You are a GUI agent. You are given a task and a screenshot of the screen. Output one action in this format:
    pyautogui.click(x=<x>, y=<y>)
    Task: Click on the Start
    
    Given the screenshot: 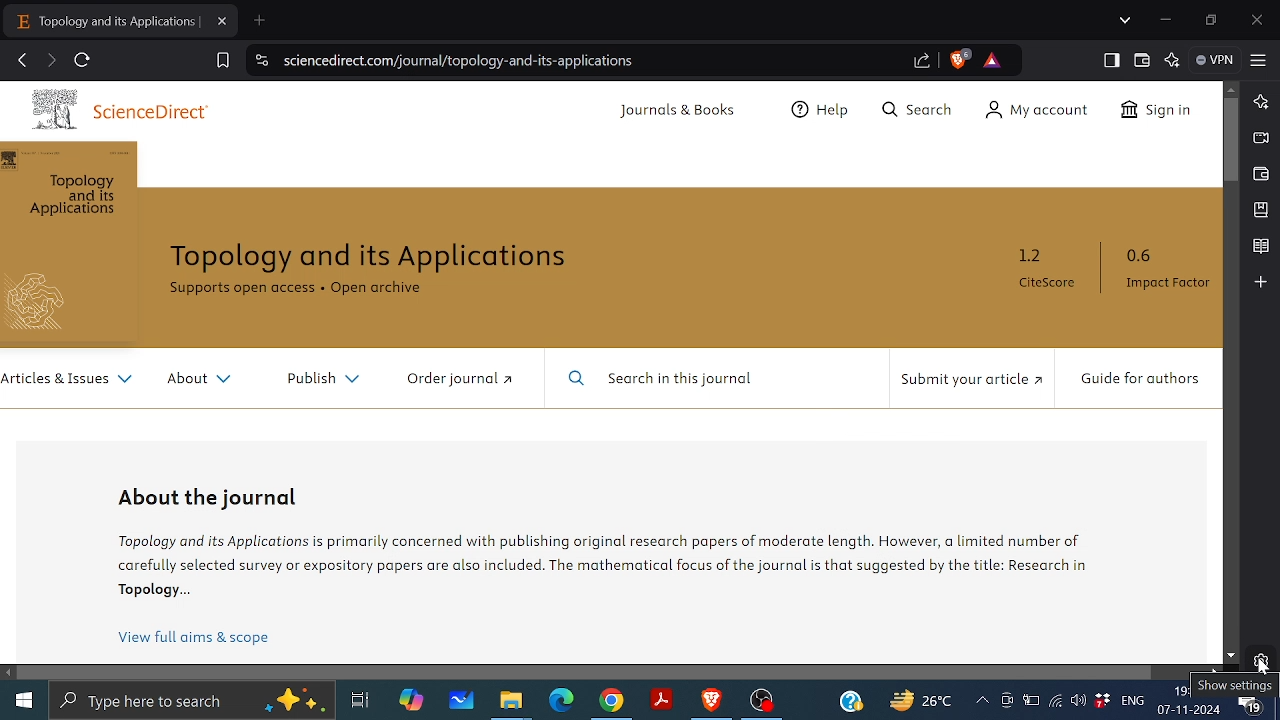 What is the action you would take?
    pyautogui.click(x=22, y=698)
    